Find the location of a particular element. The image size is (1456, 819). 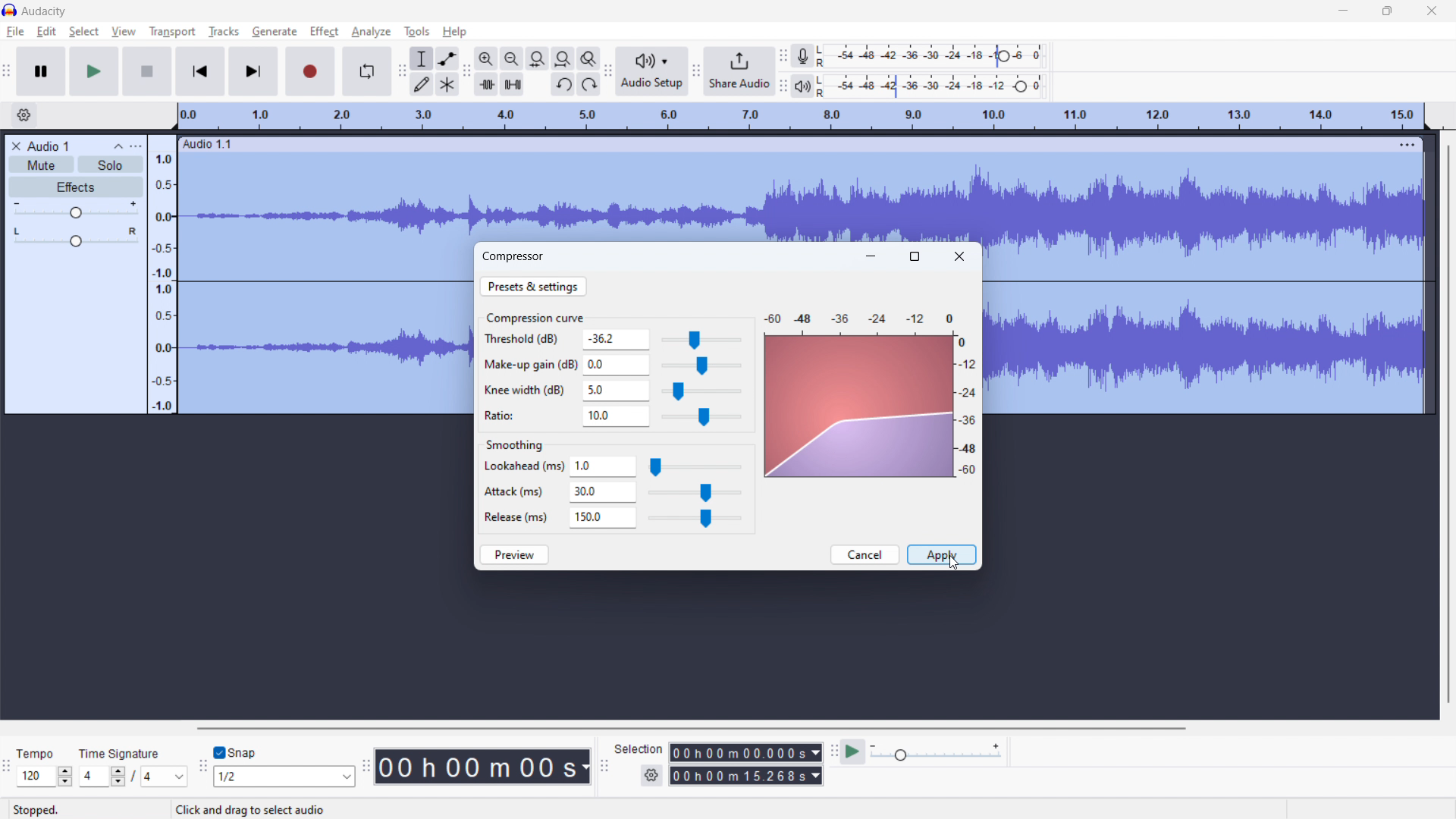

record level is located at coordinates (943, 56).